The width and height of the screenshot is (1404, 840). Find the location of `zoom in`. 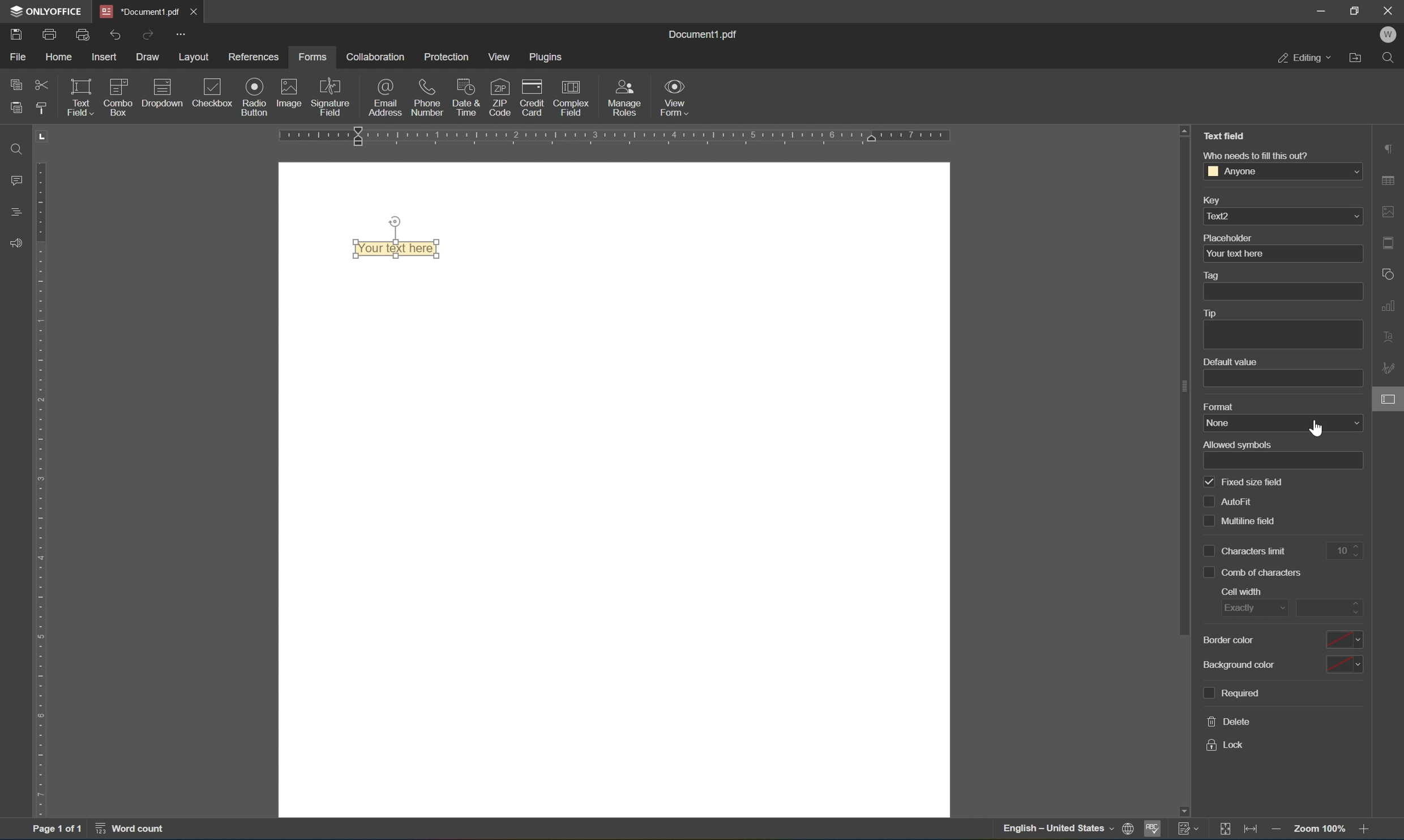

zoom in is located at coordinates (1364, 829).